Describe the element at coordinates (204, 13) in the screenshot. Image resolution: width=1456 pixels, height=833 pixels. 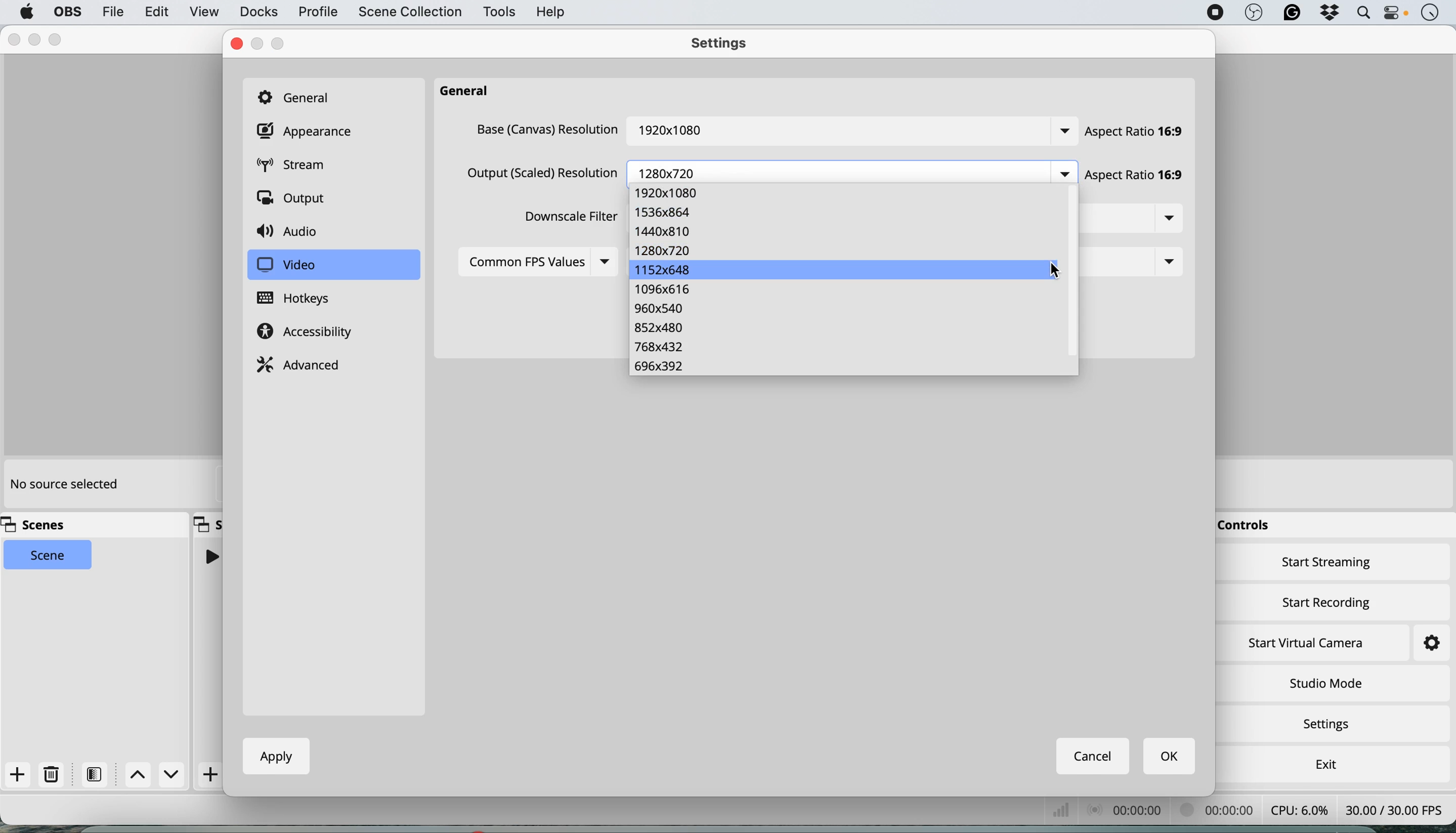
I see `view` at that location.